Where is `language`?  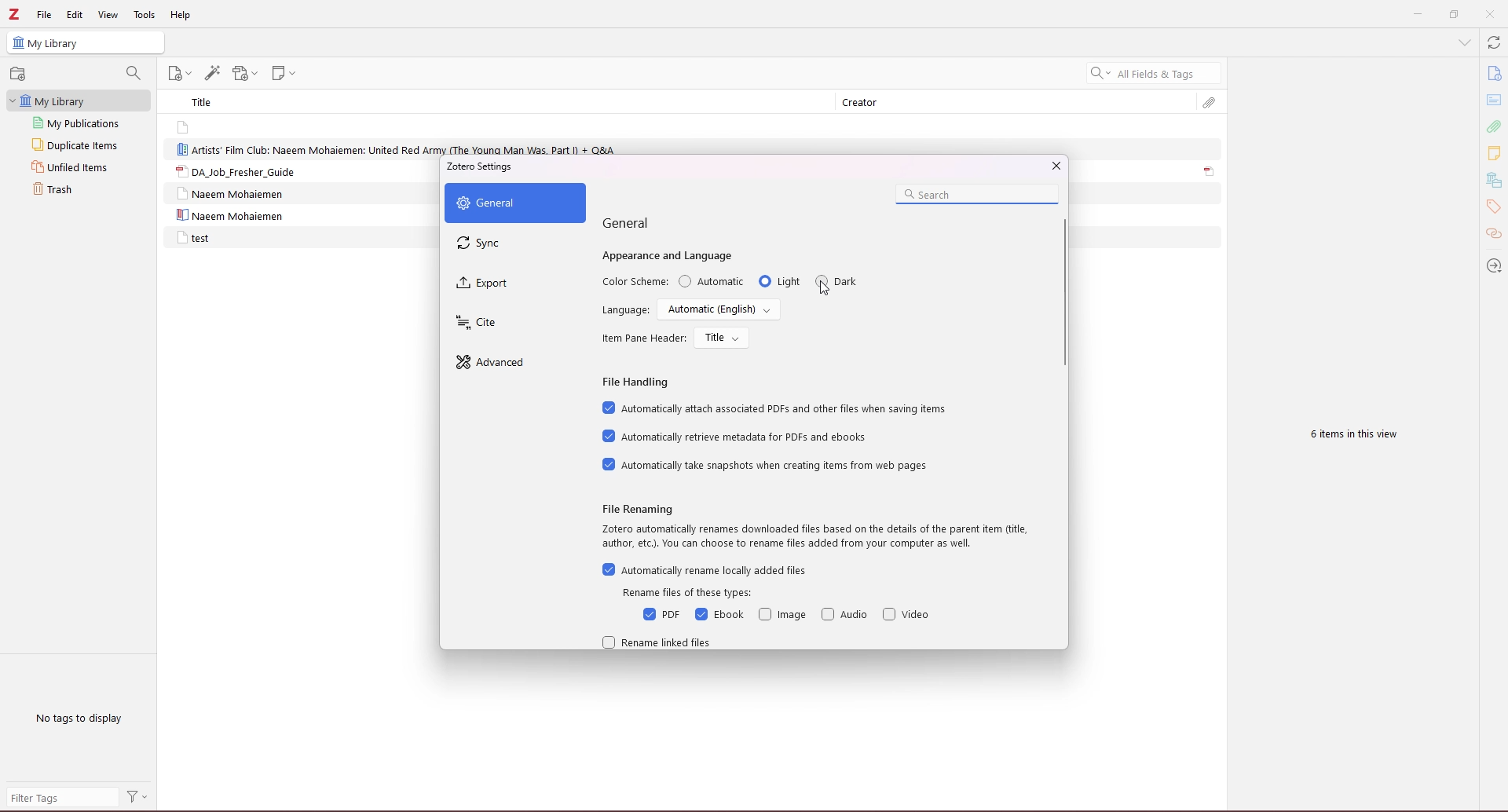 language is located at coordinates (624, 310).